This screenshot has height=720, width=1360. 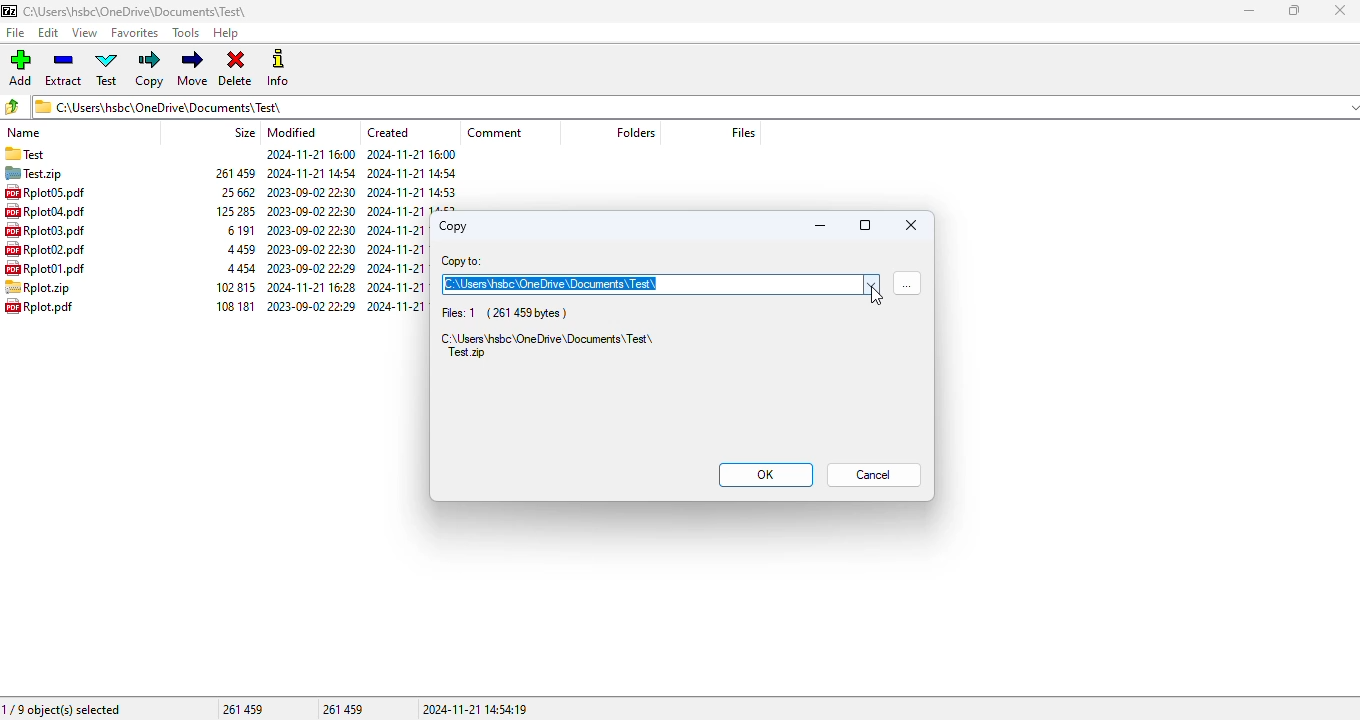 I want to click on modified date & time, so click(x=311, y=306).